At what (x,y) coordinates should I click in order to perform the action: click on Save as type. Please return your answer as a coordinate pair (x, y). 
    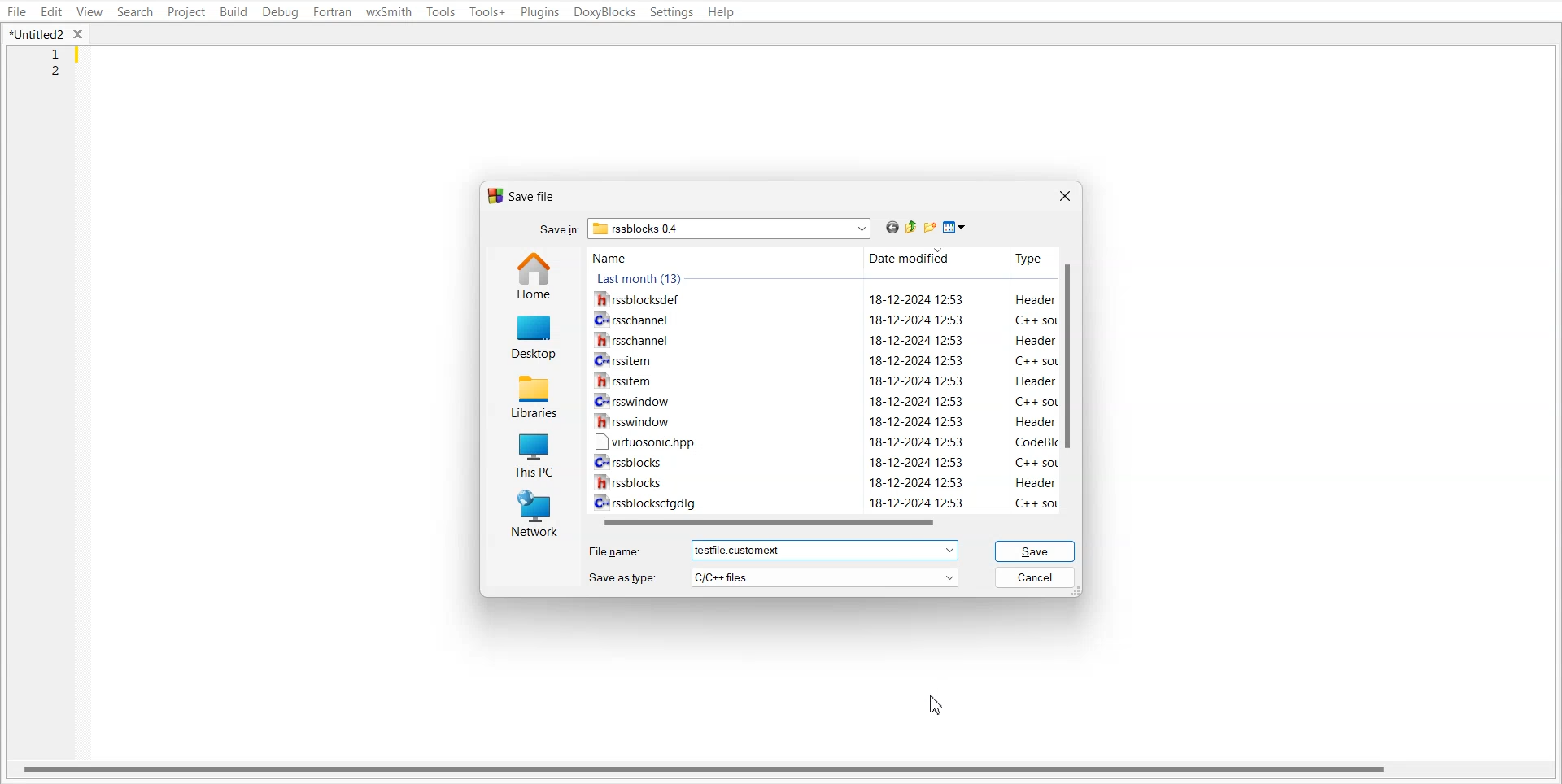
    Looking at the image, I should click on (774, 577).